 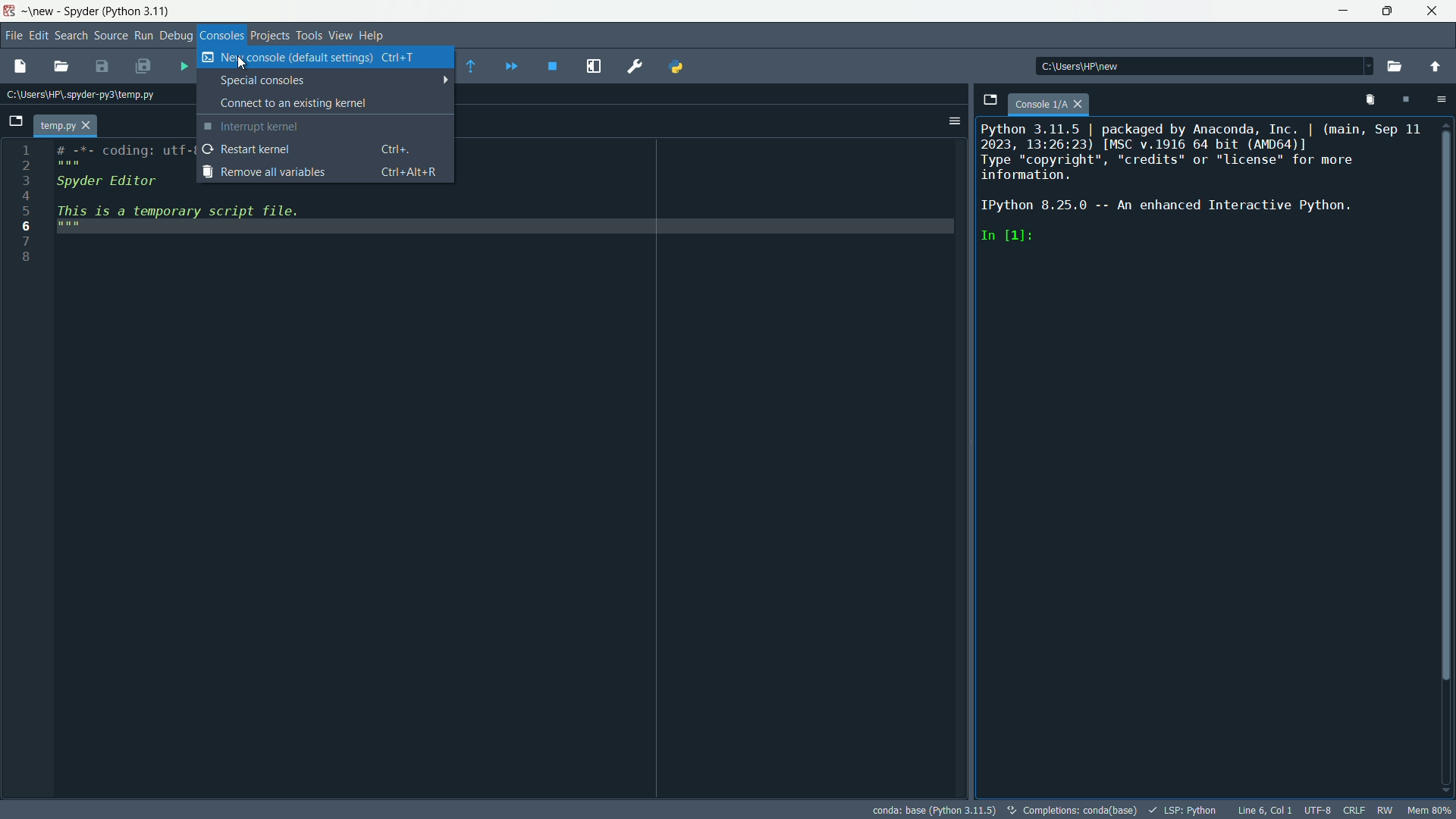 I want to click on crlf, so click(x=1354, y=810).